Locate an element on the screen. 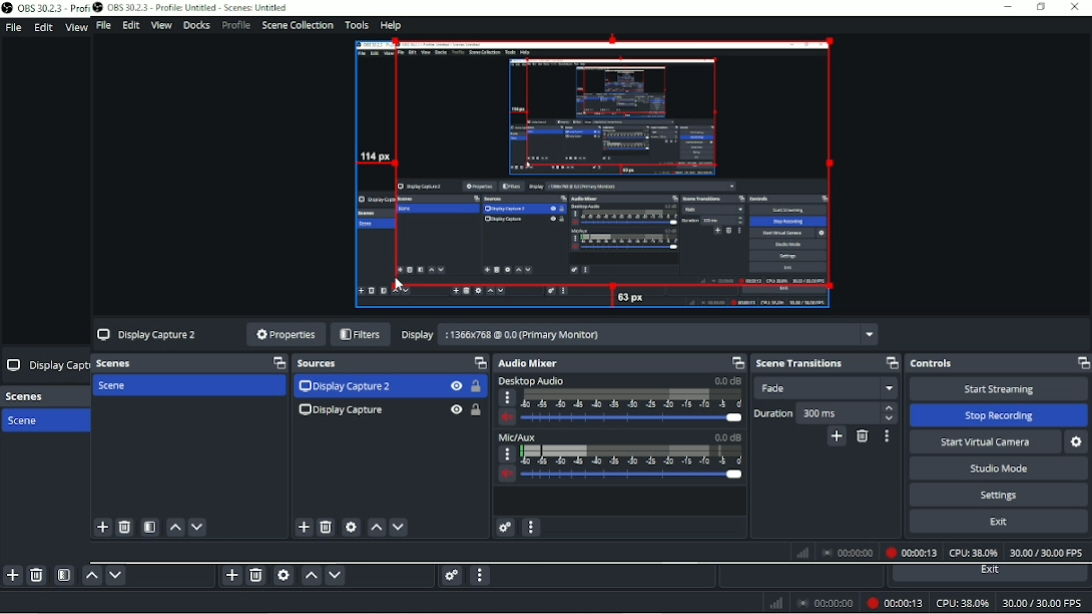  Maximize is located at coordinates (1082, 364).